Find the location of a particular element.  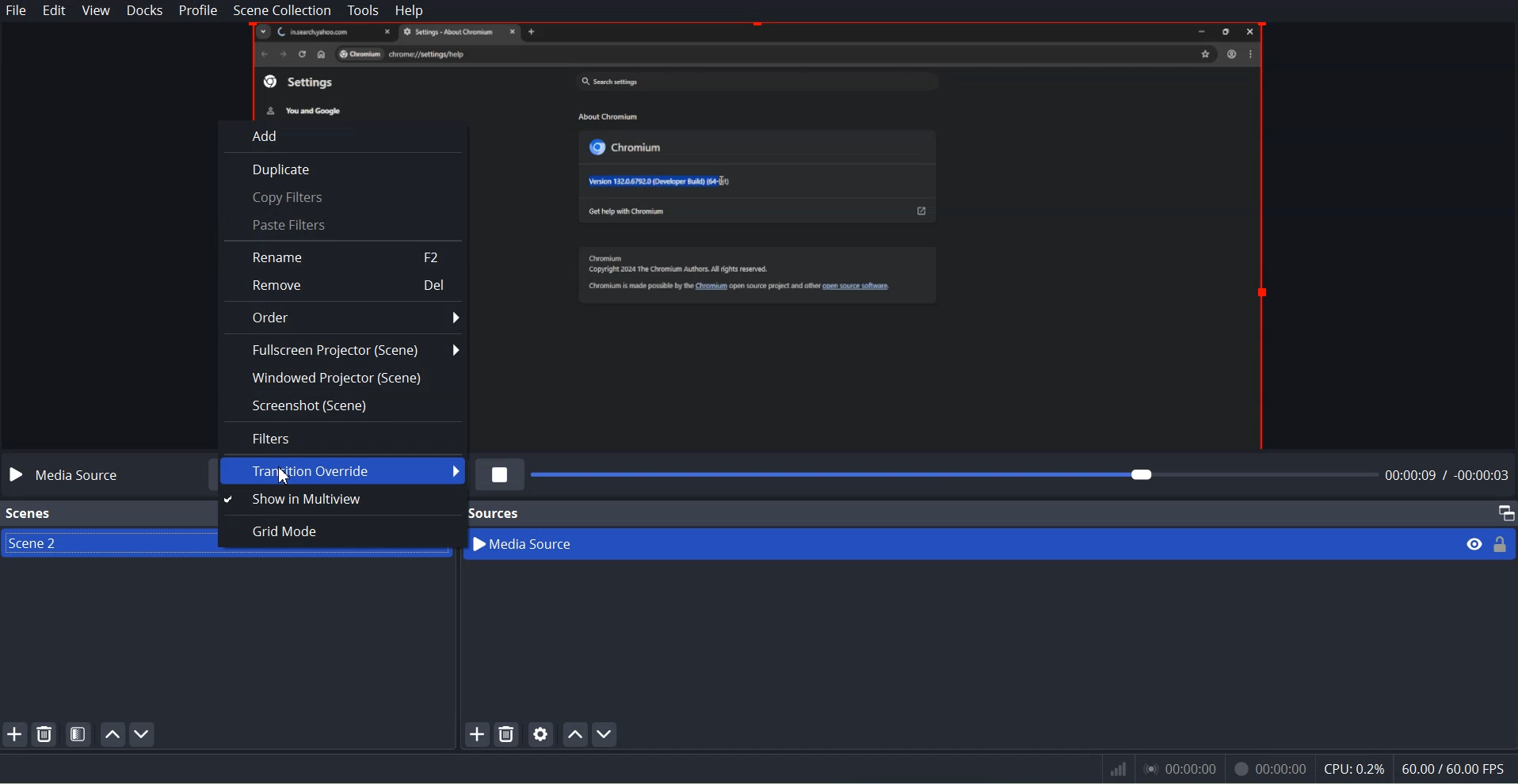

Remove is located at coordinates (344, 284).